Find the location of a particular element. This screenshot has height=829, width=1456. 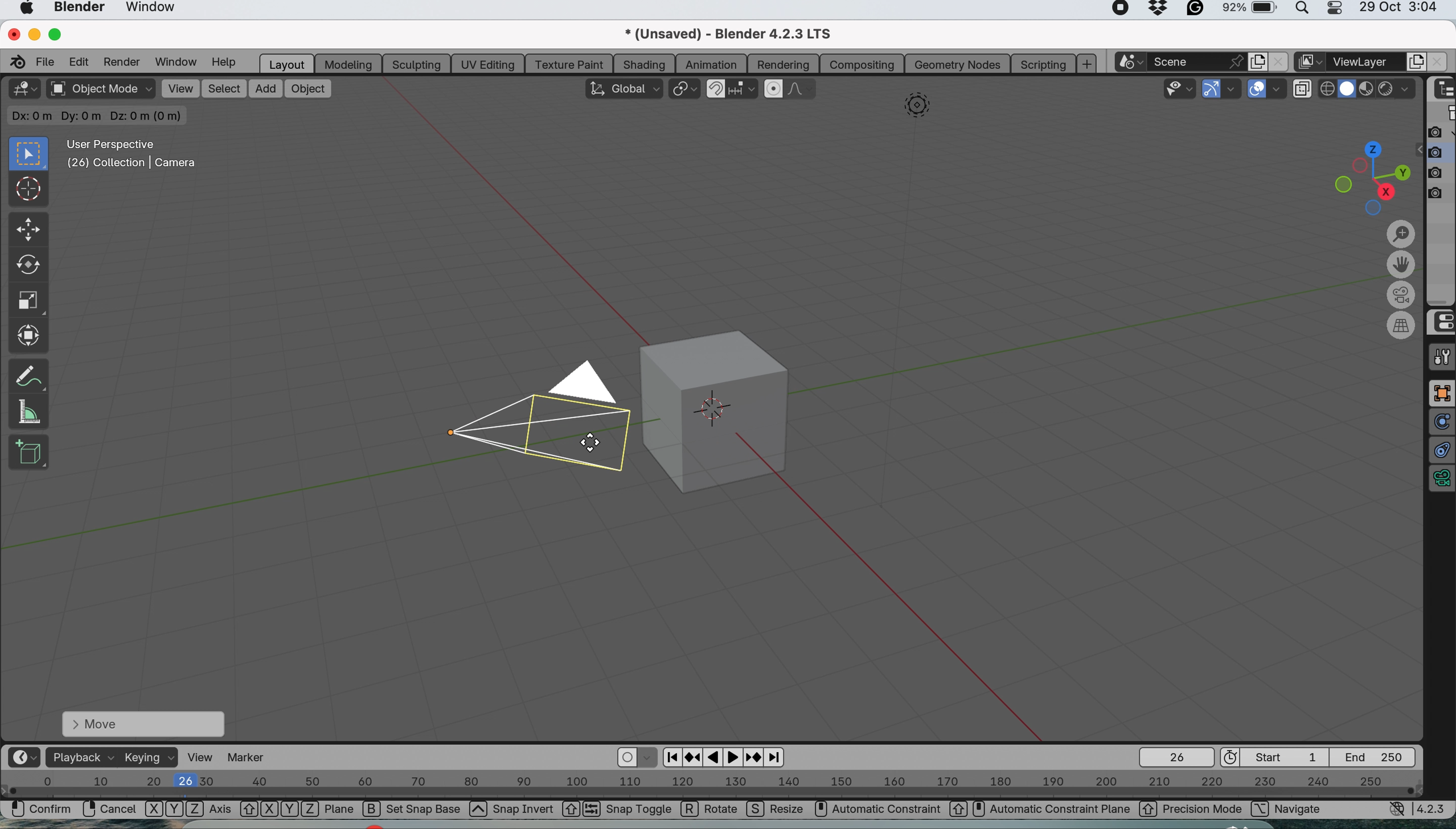

modeling is located at coordinates (346, 63).